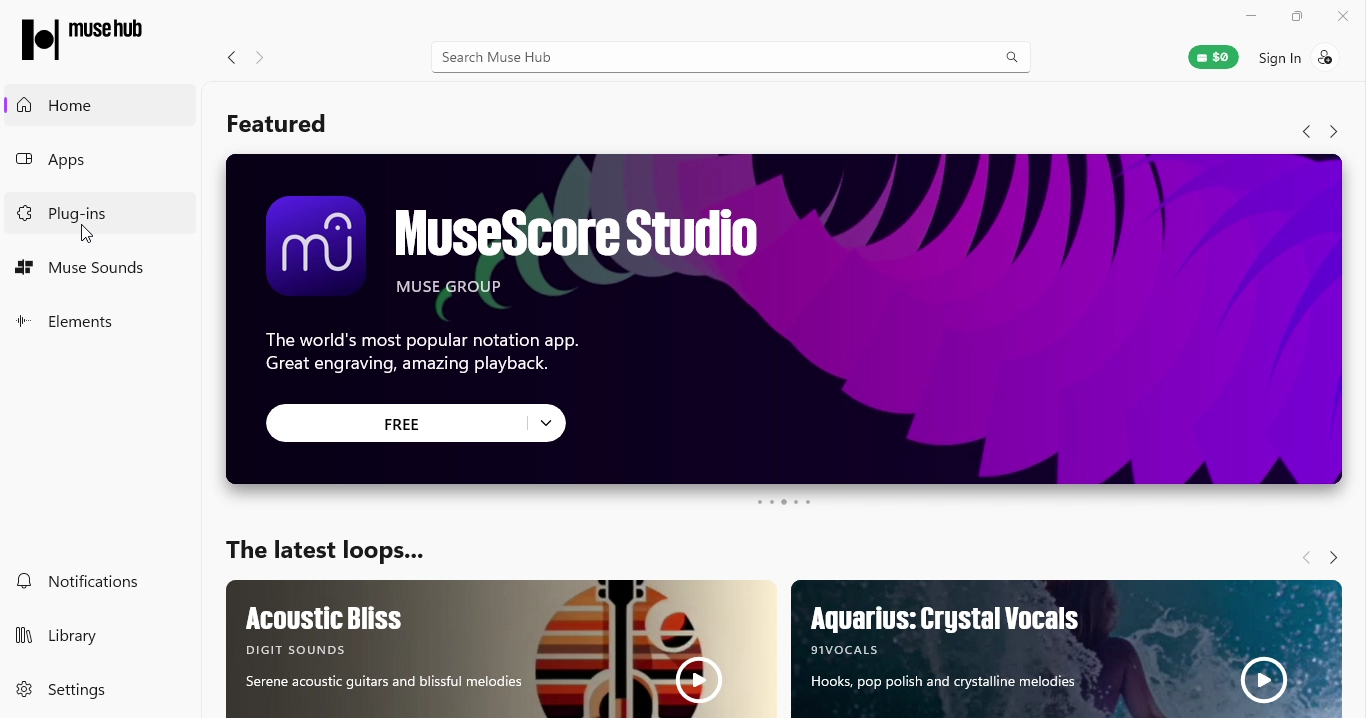  Describe the element at coordinates (62, 325) in the screenshot. I see `Elements` at that location.